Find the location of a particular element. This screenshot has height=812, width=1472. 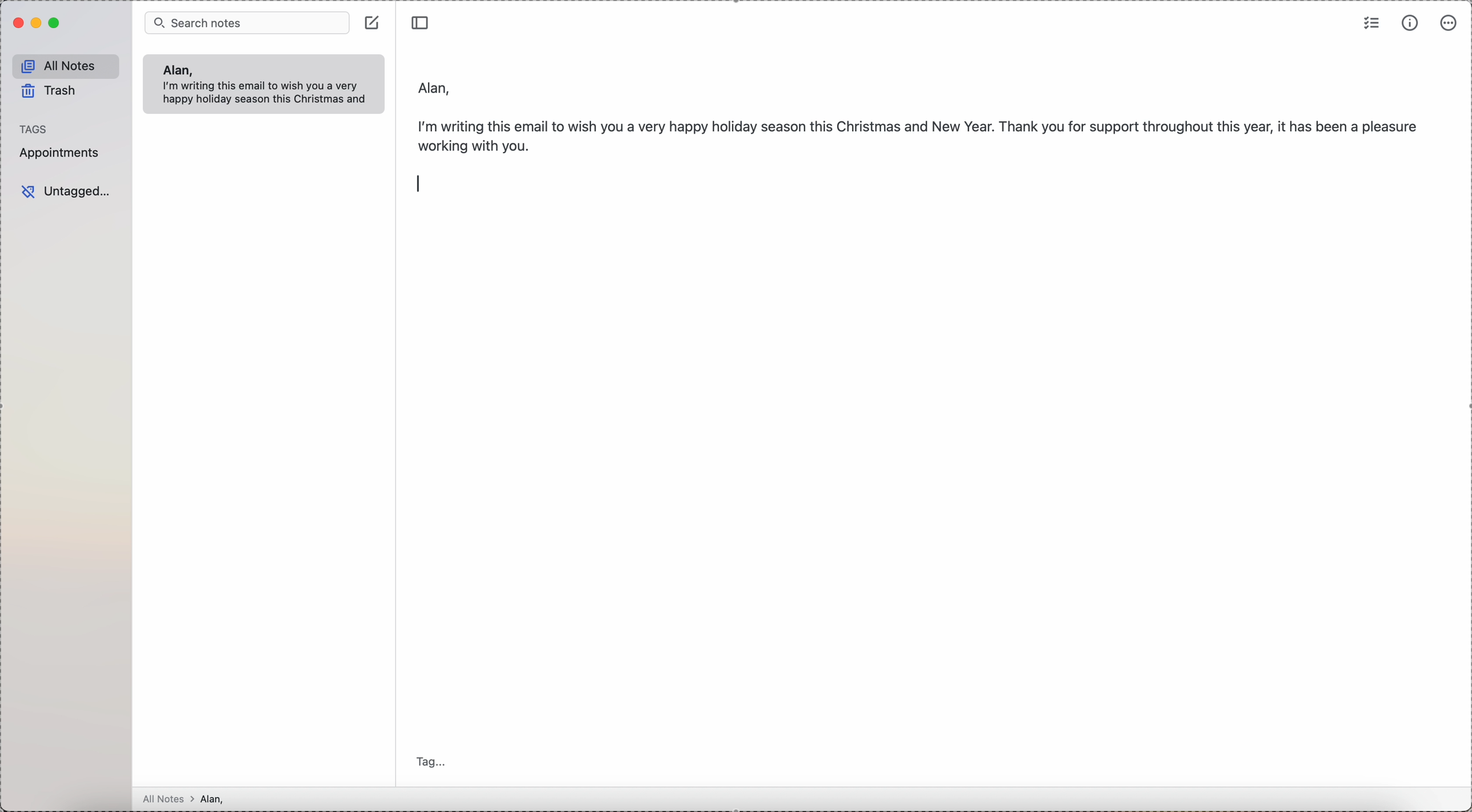

toggle sidebar is located at coordinates (422, 21).